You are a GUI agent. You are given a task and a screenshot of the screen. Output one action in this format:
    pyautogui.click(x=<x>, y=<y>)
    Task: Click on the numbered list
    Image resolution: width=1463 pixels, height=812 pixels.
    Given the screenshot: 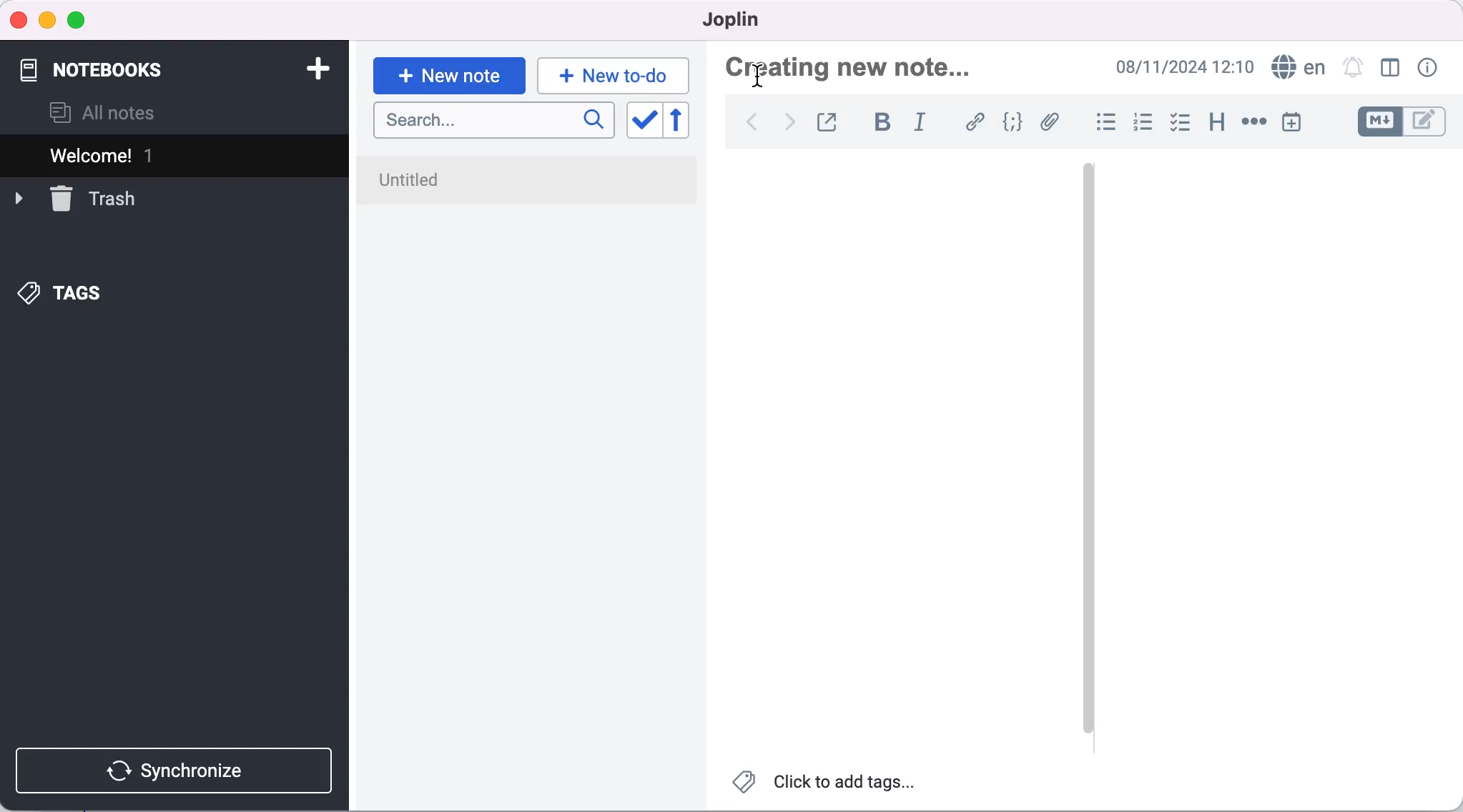 What is the action you would take?
    pyautogui.click(x=1142, y=123)
    